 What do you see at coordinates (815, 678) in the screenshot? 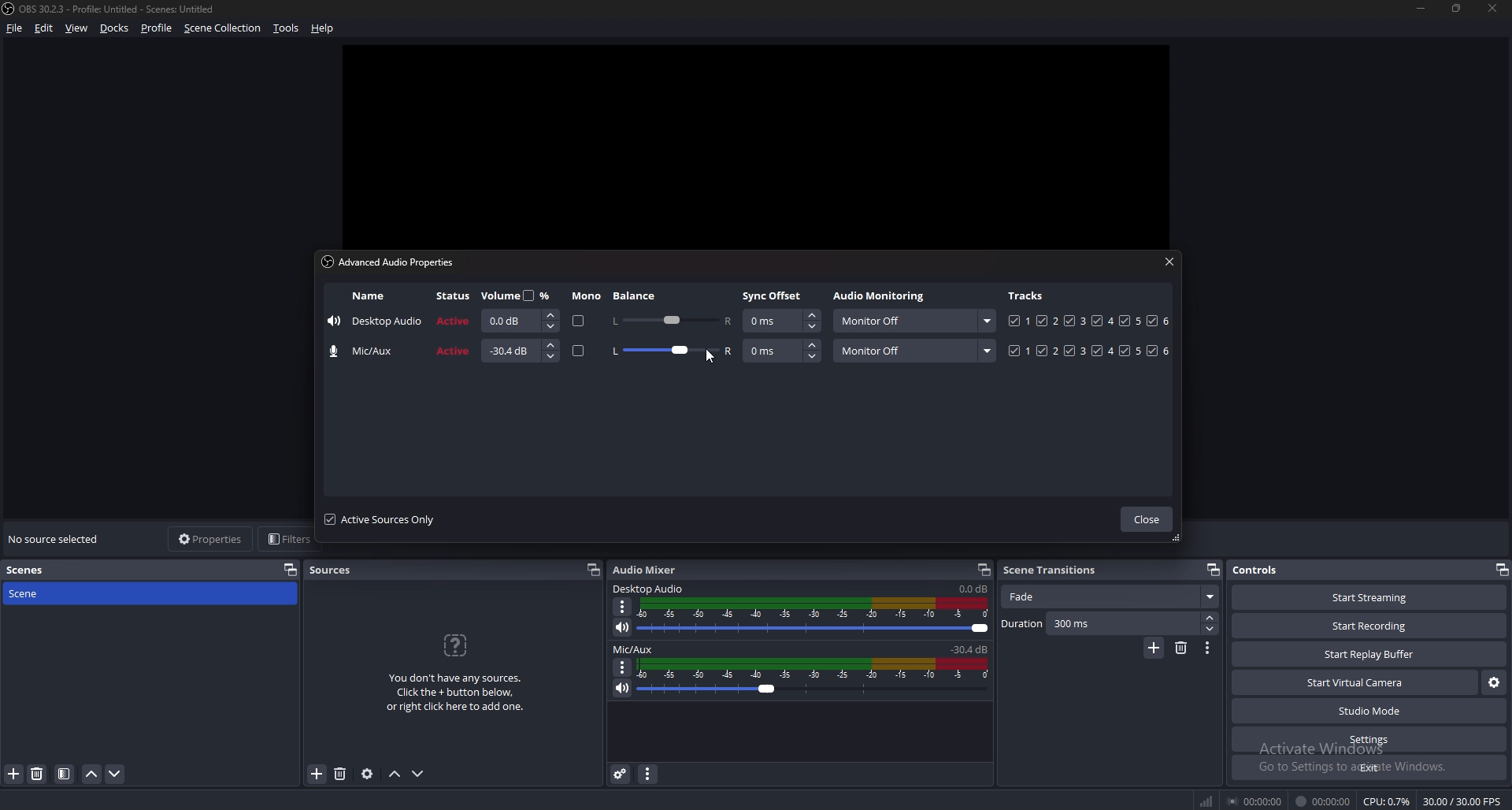
I see `mic/aux volume adjust` at bounding box center [815, 678].